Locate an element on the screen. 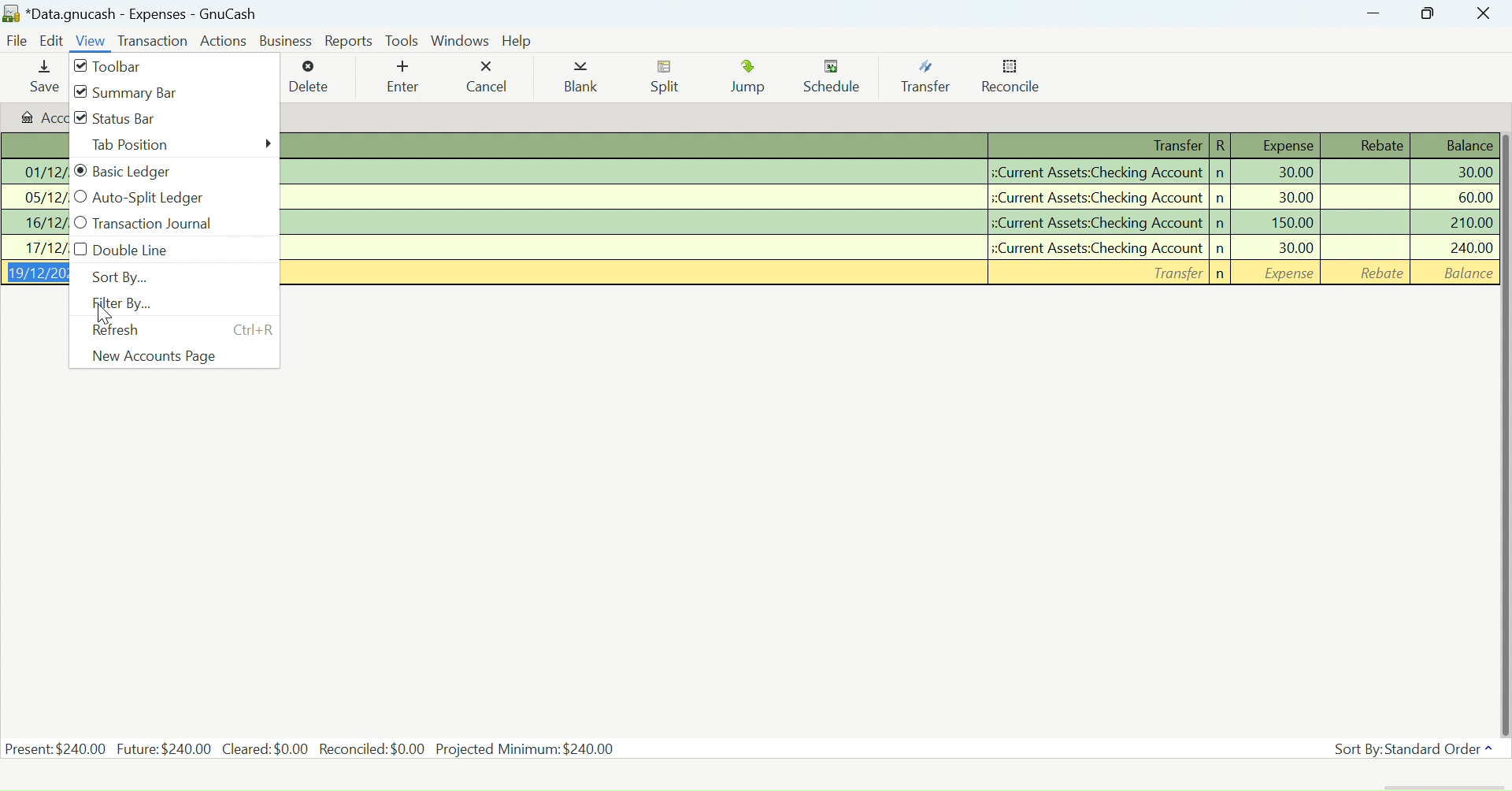 This screenshot has height=791, width=1512. Double Line is located at coordinates (157, 251).